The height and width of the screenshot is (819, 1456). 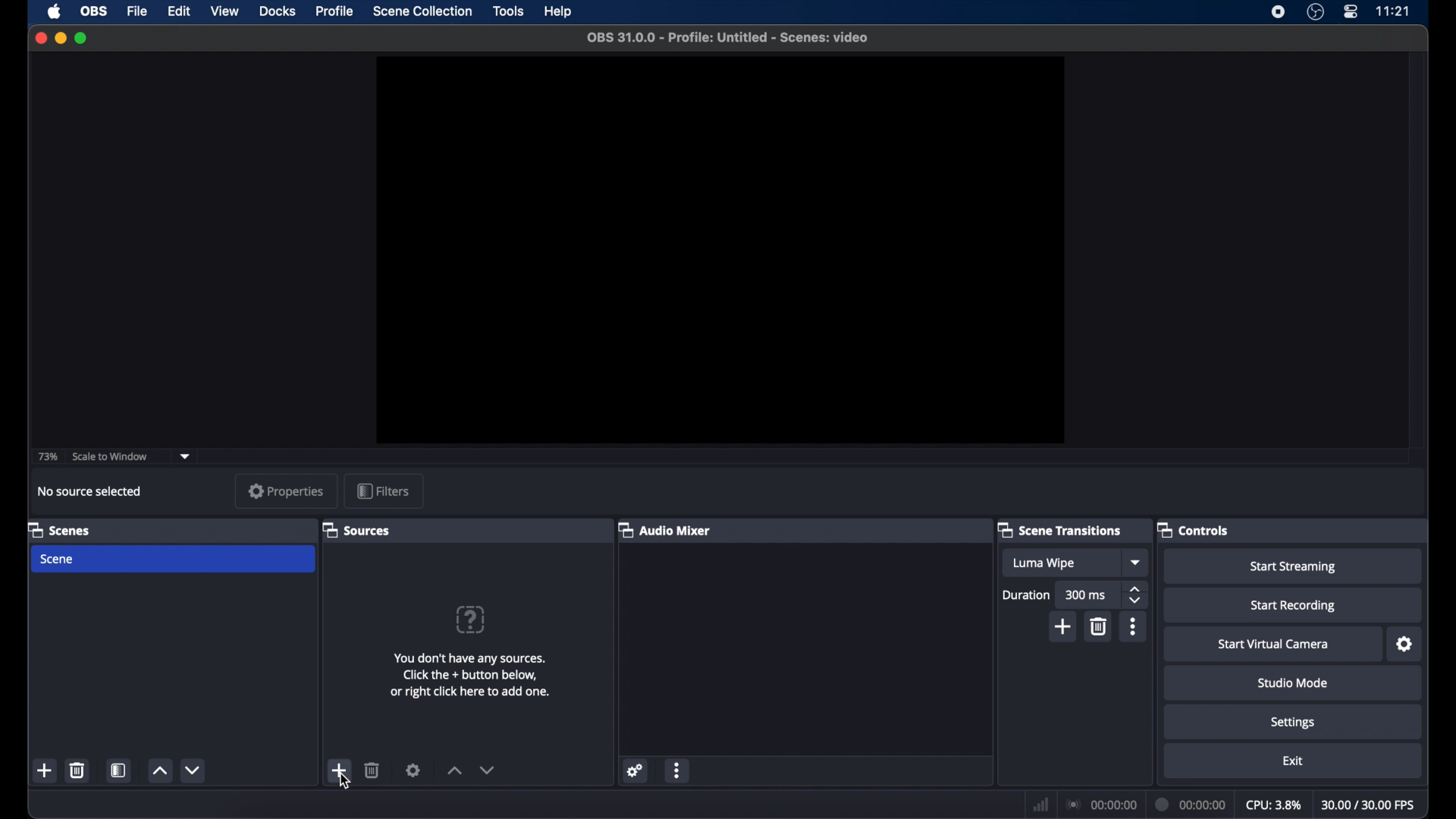 What do you see at coordinates (1194, 529) in the screenshot?
I see `controls` at bounding box center [1194, 529].